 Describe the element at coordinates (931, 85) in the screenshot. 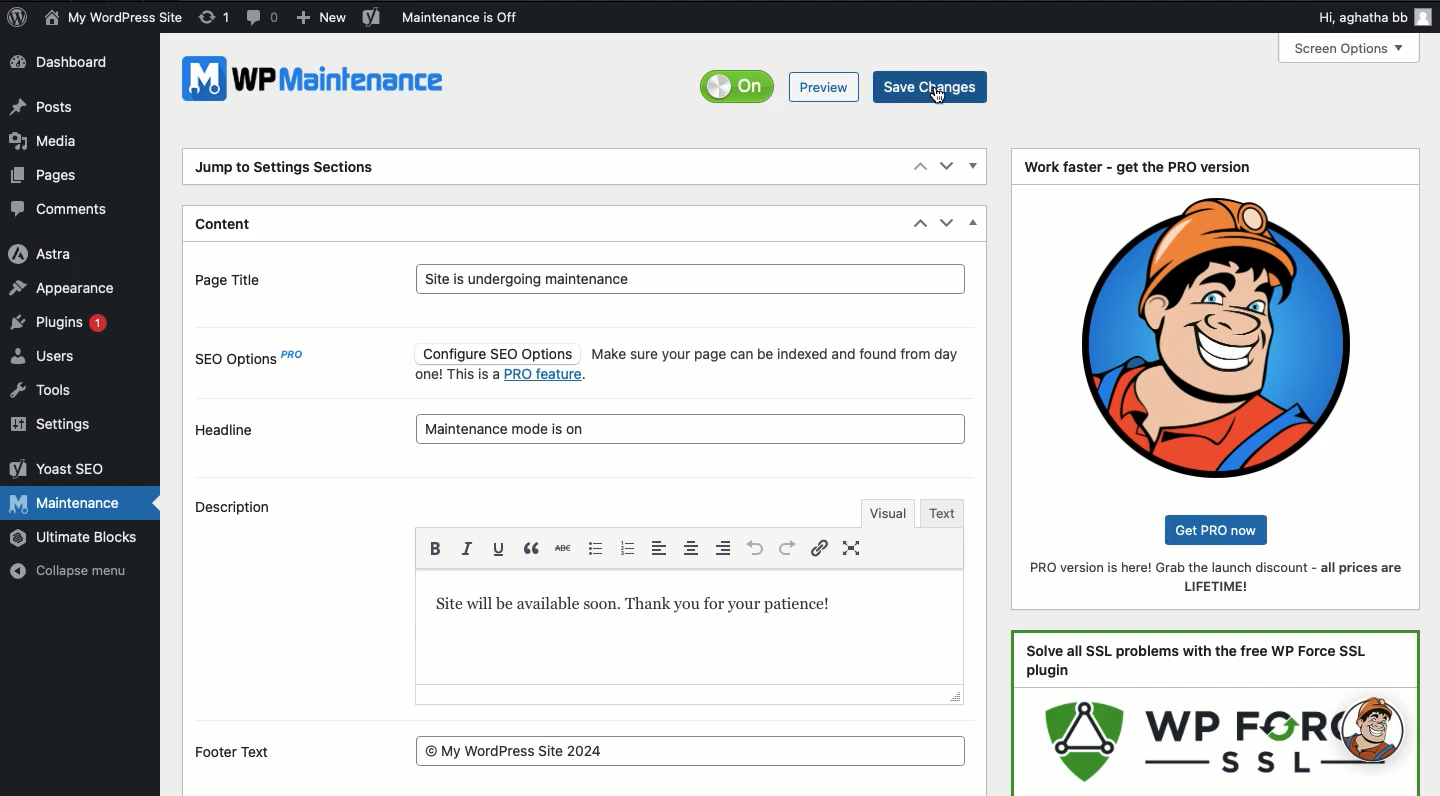

I see `Save changes` at that location.